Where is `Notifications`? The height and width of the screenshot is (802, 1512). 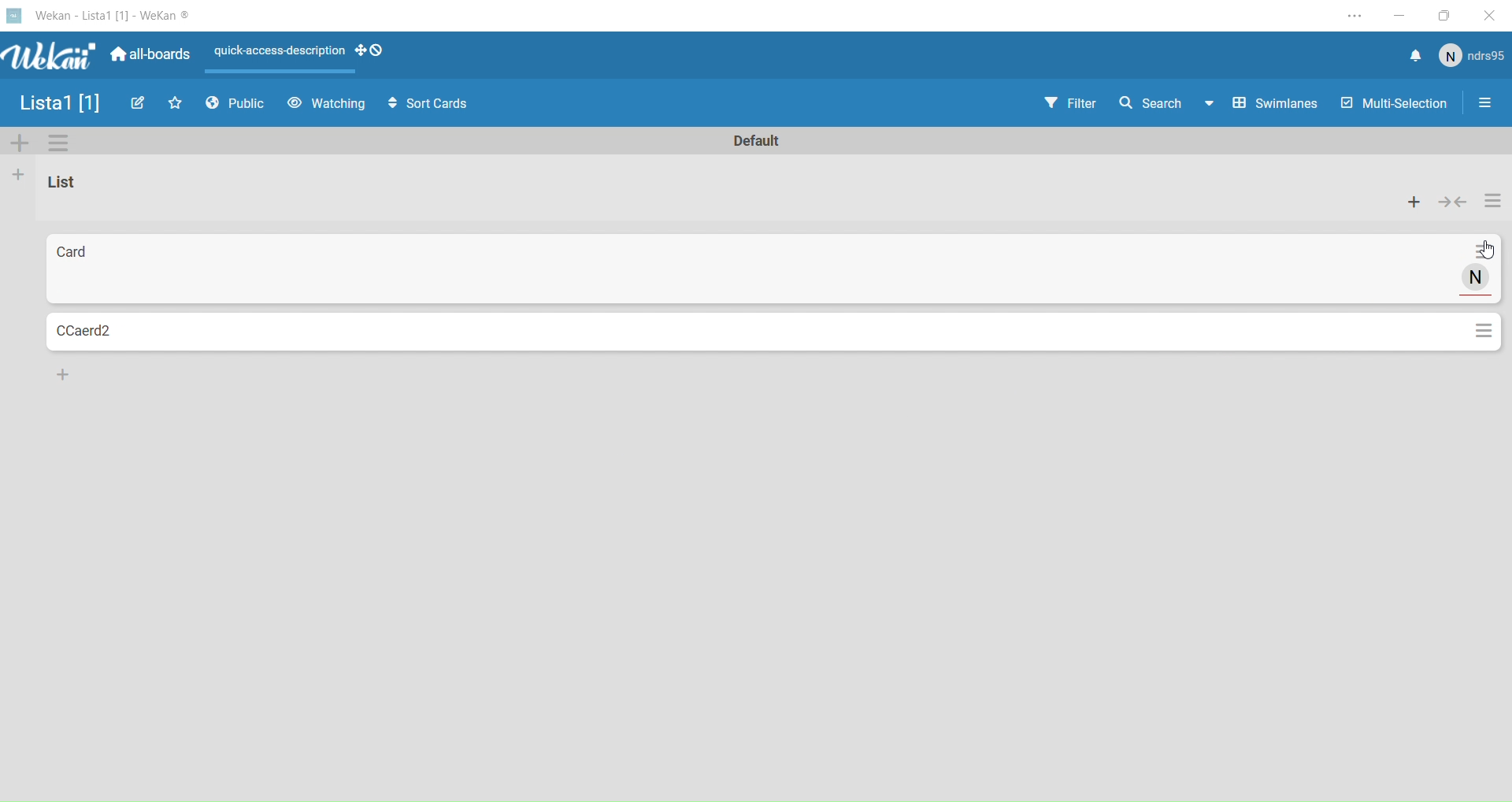 Notifications is located at coordinates (1414, 54).